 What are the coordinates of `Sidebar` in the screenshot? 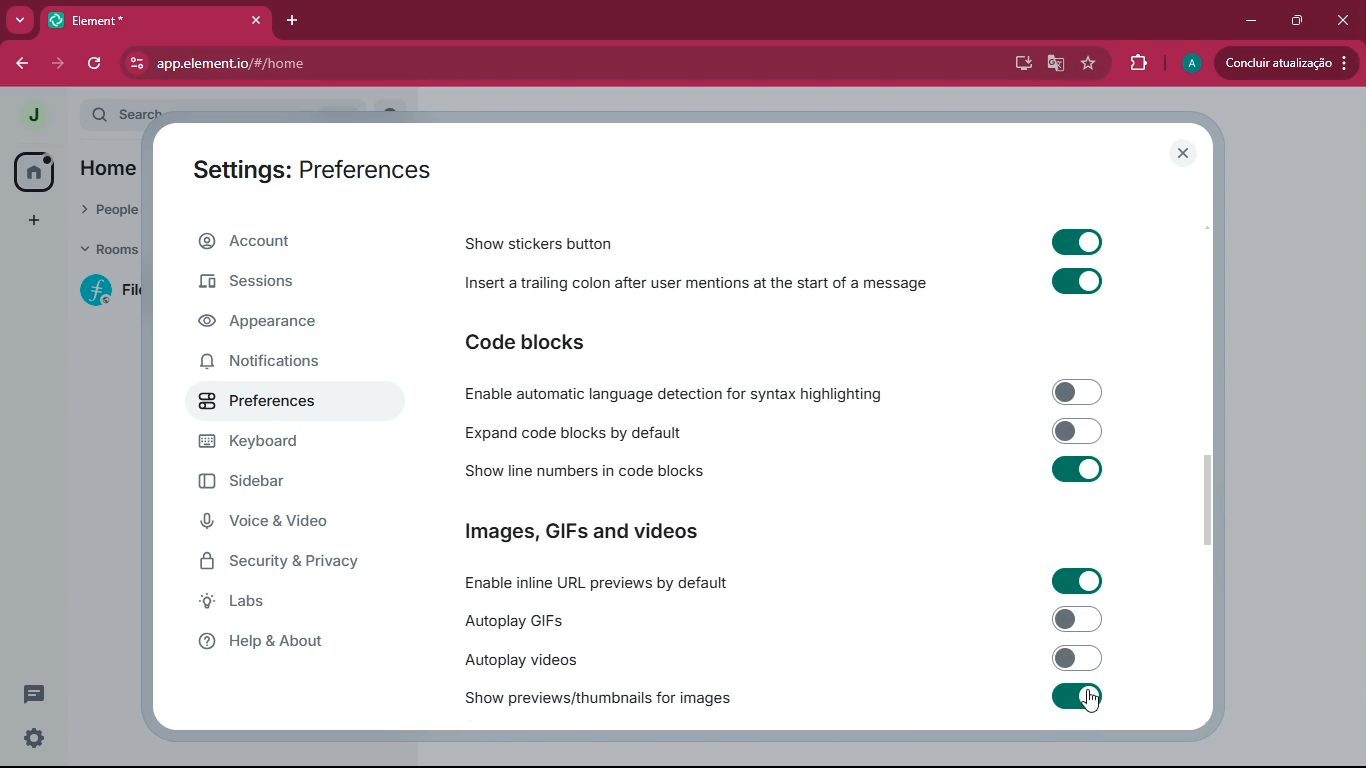 It's located at (254, 480).